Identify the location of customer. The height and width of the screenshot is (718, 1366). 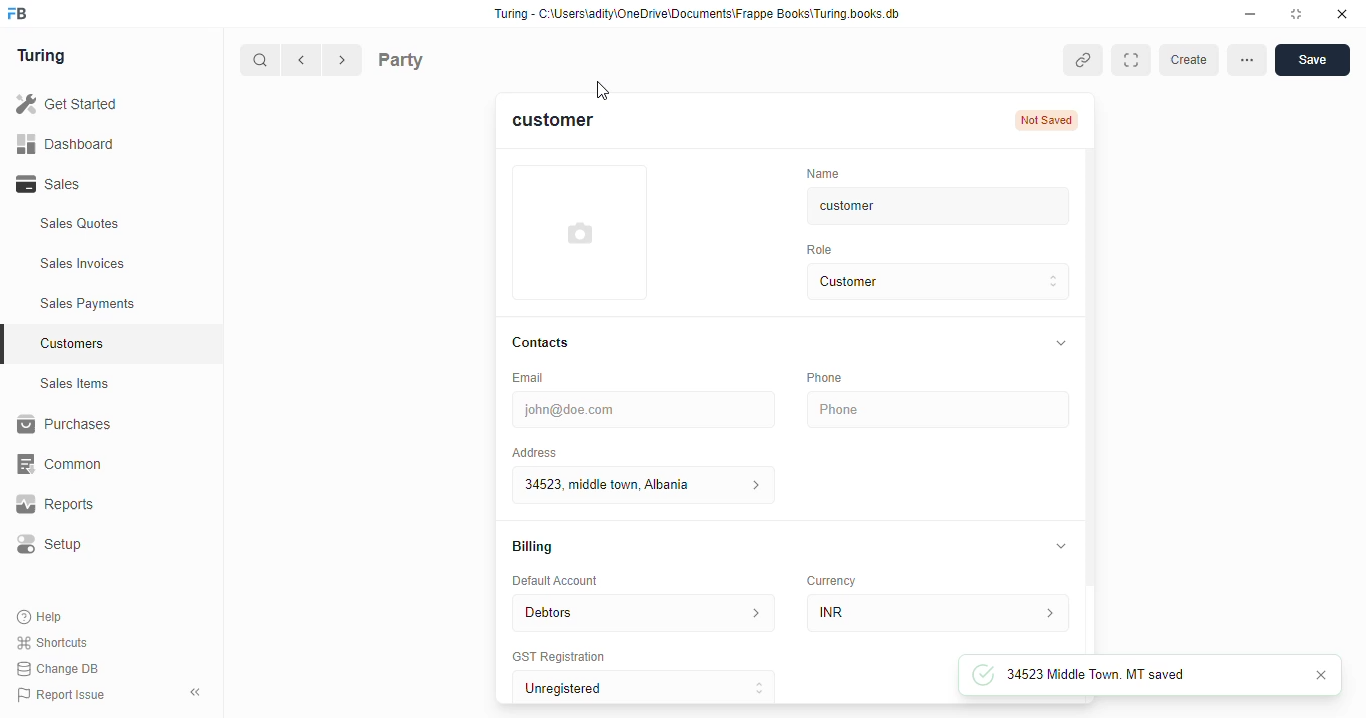
(565, 125).